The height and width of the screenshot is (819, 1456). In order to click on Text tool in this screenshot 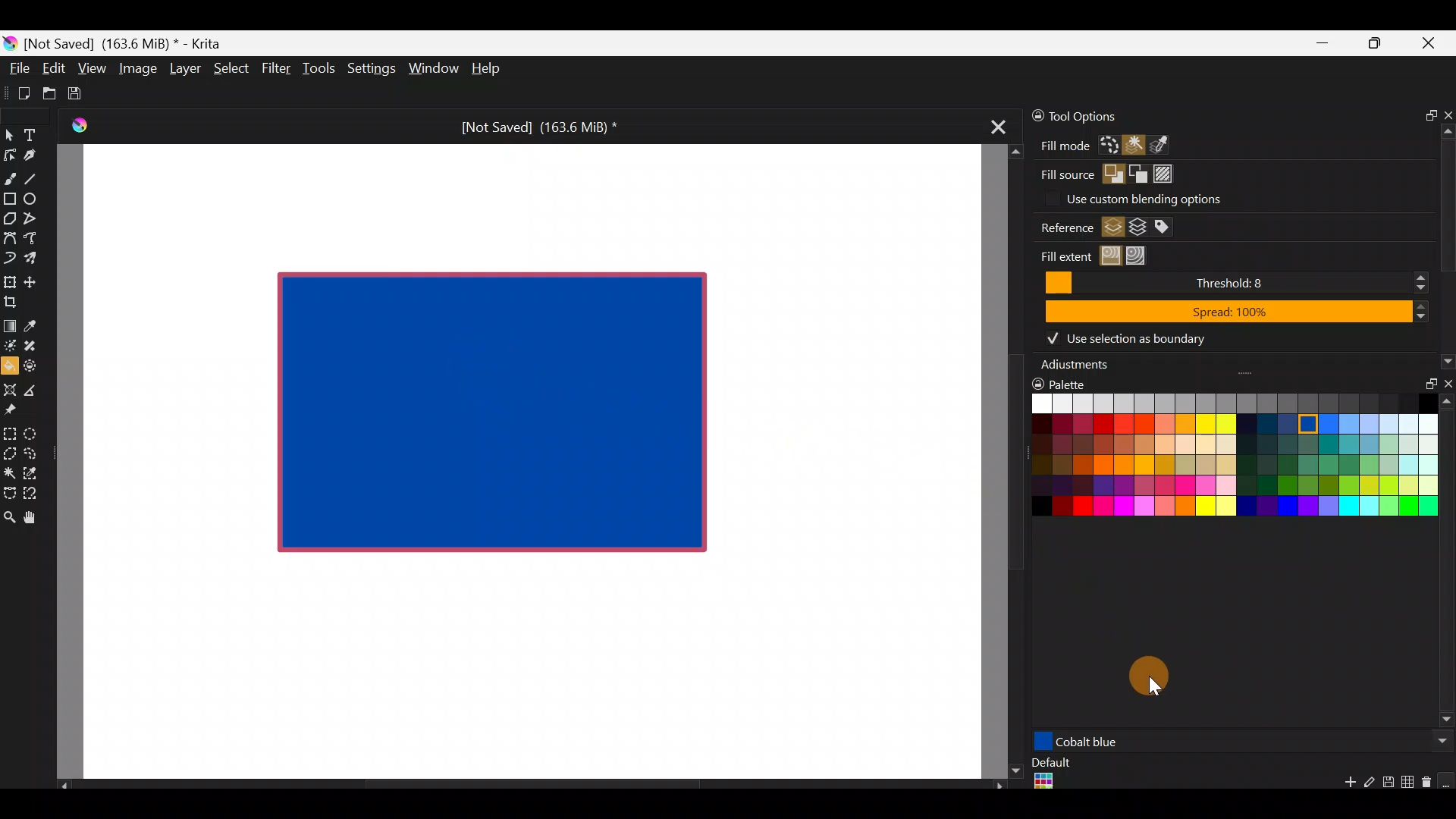, I will do `click(31, 133)`.